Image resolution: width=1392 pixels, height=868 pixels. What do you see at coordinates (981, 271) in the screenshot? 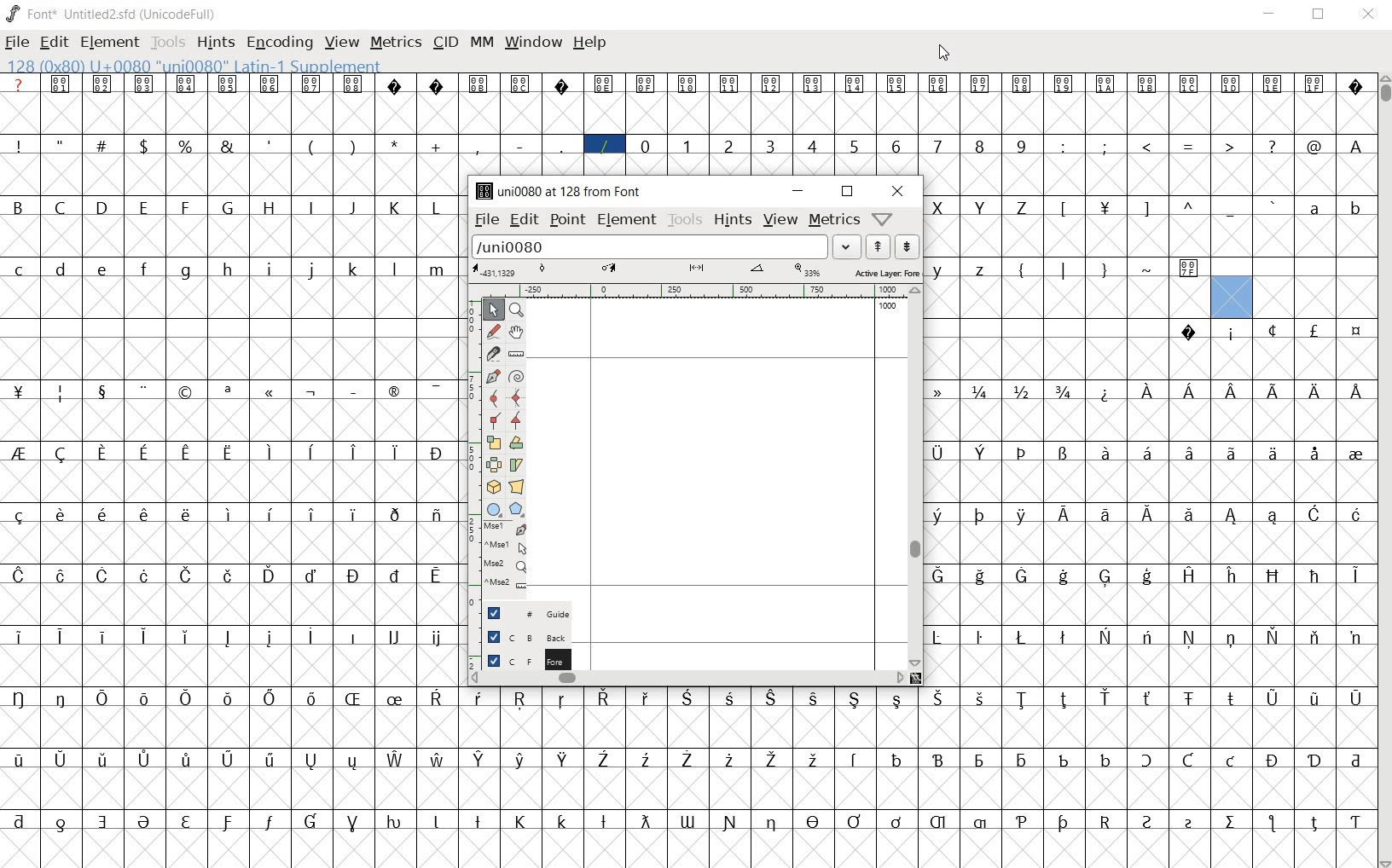
I see `glyph` at bounding box center [981, 271].